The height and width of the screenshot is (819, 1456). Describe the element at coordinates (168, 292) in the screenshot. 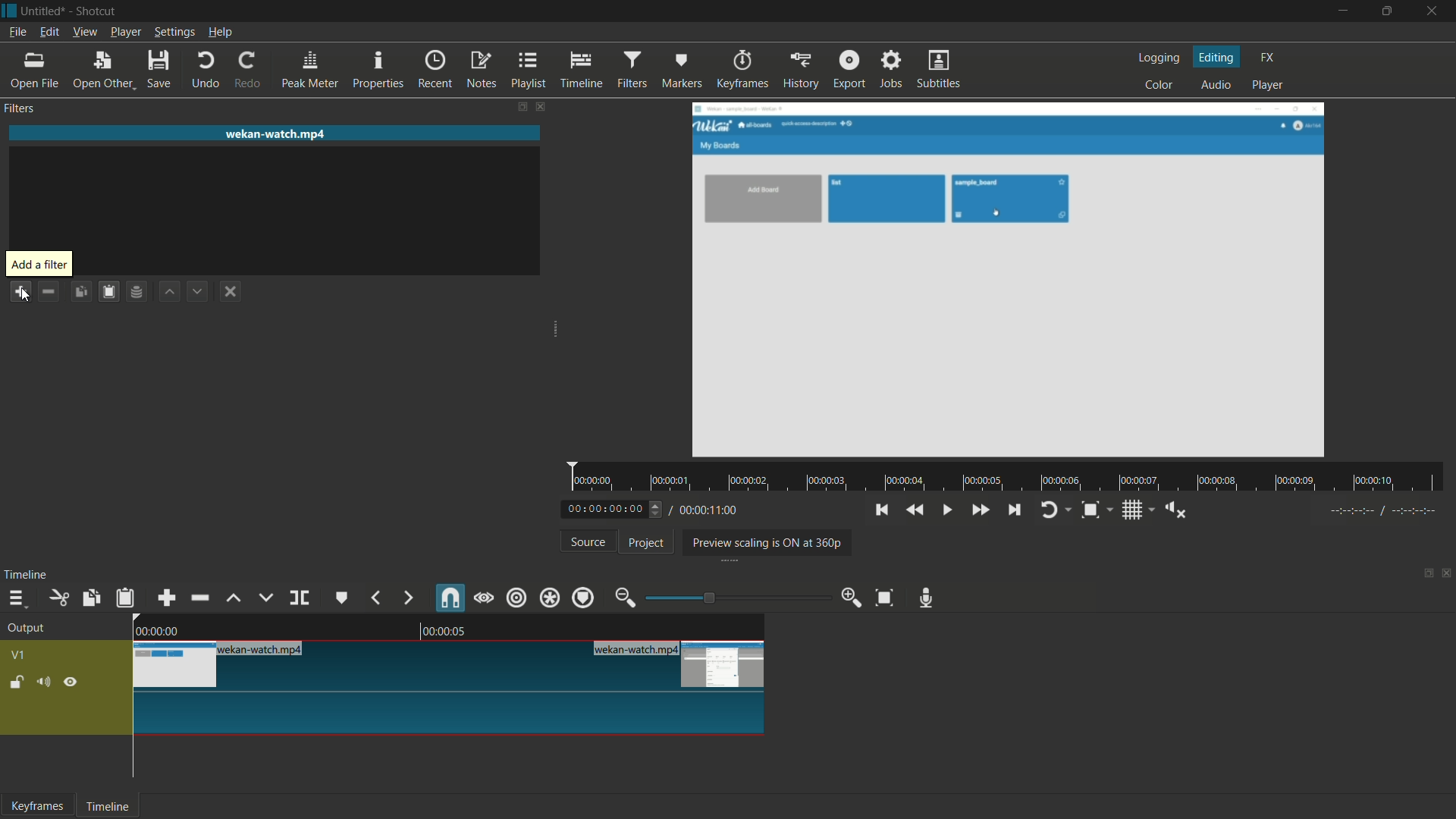

I see `move filter up` at that location.